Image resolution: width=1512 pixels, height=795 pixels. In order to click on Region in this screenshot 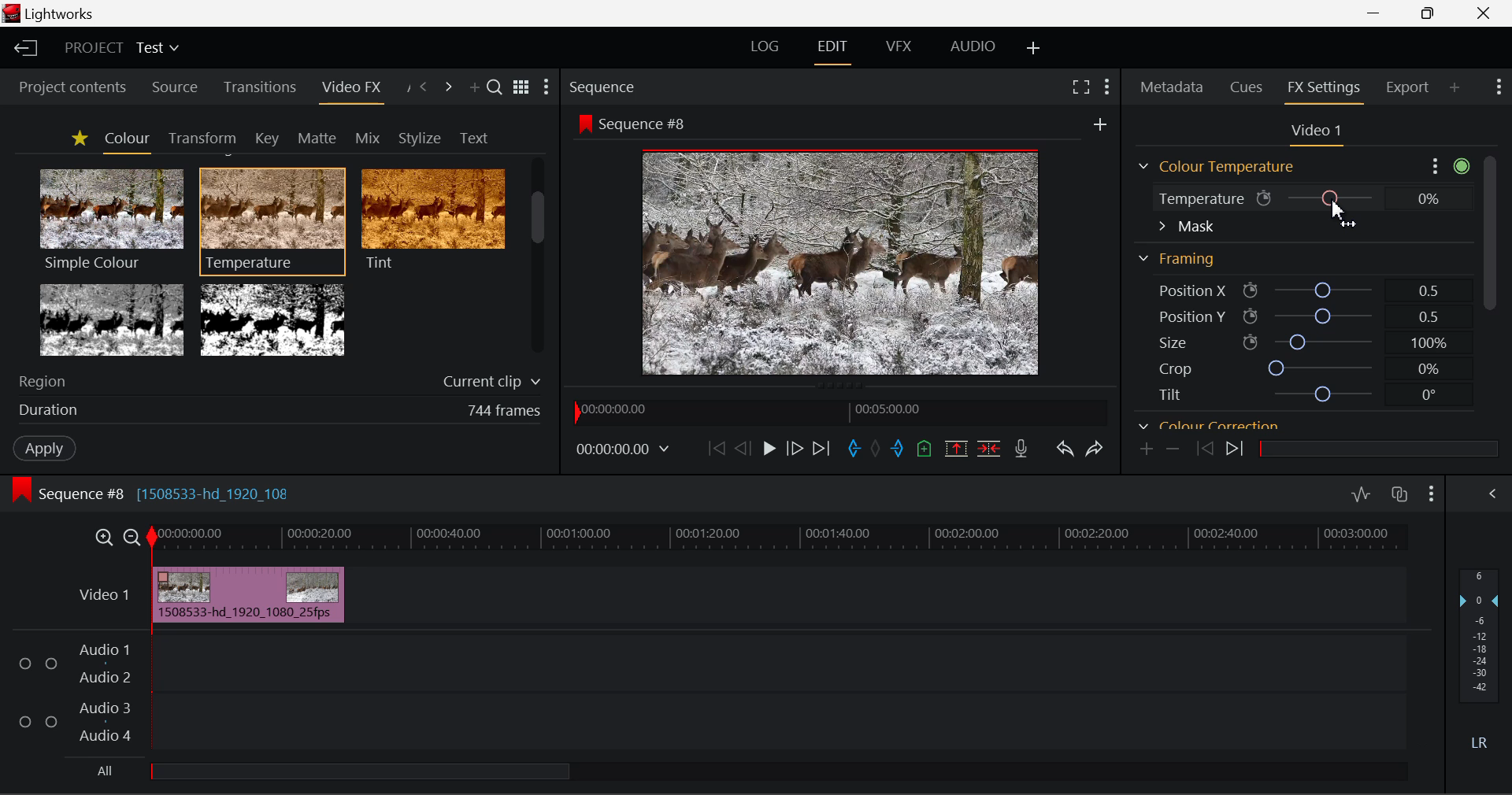, I will do `click(46, 380)`.